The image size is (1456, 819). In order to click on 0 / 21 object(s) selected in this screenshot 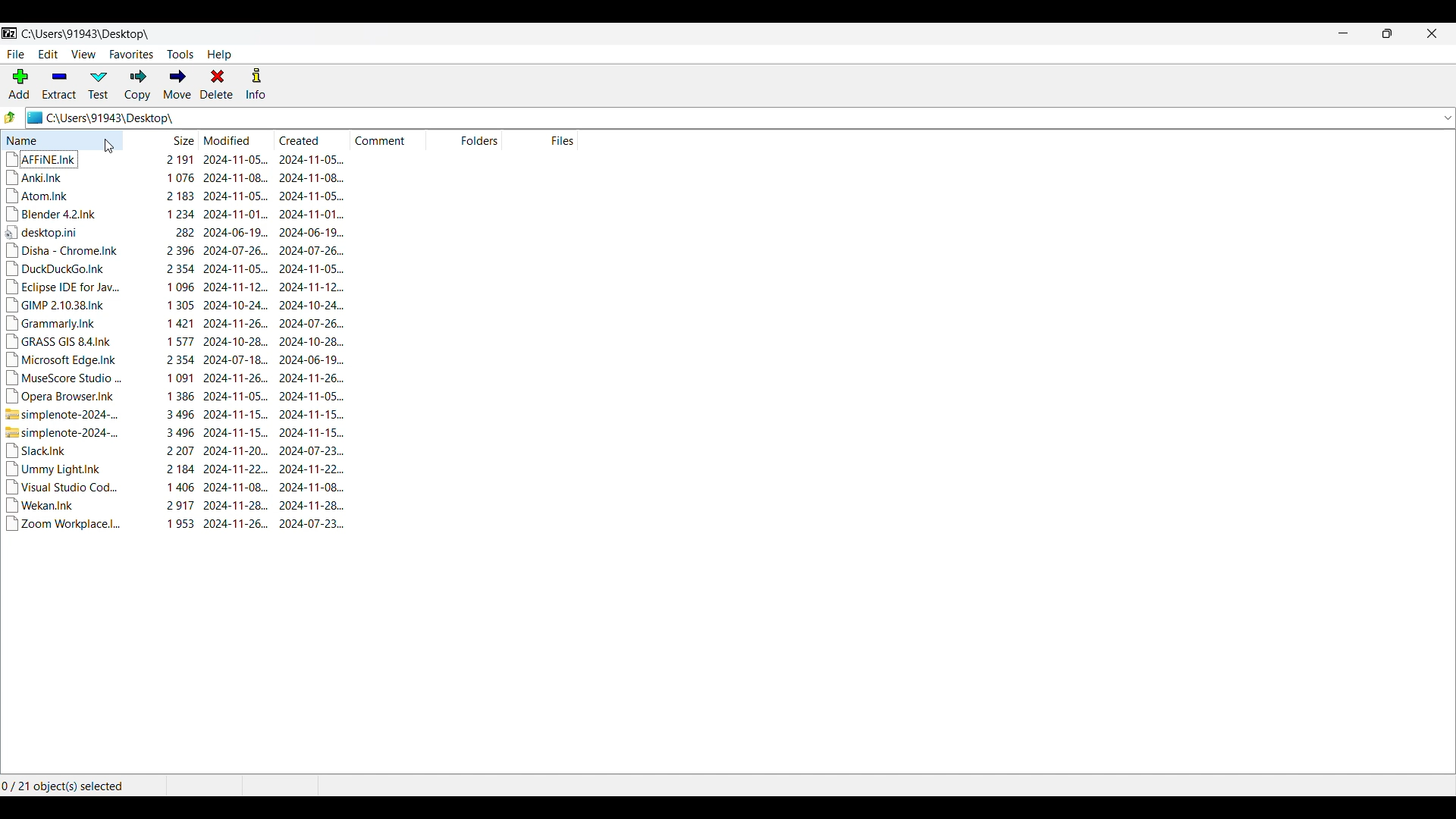, I will do `click(63, 786)`.